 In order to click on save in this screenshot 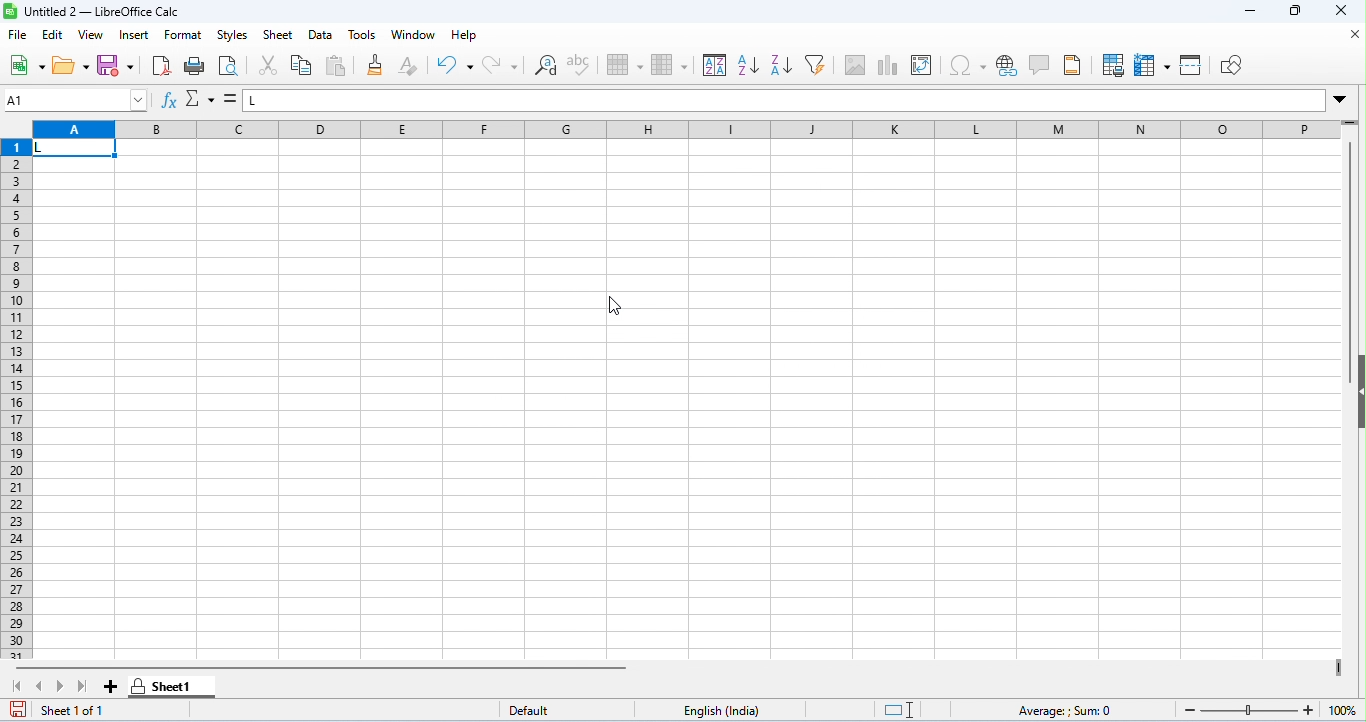, I will do `click(116, 65)`.